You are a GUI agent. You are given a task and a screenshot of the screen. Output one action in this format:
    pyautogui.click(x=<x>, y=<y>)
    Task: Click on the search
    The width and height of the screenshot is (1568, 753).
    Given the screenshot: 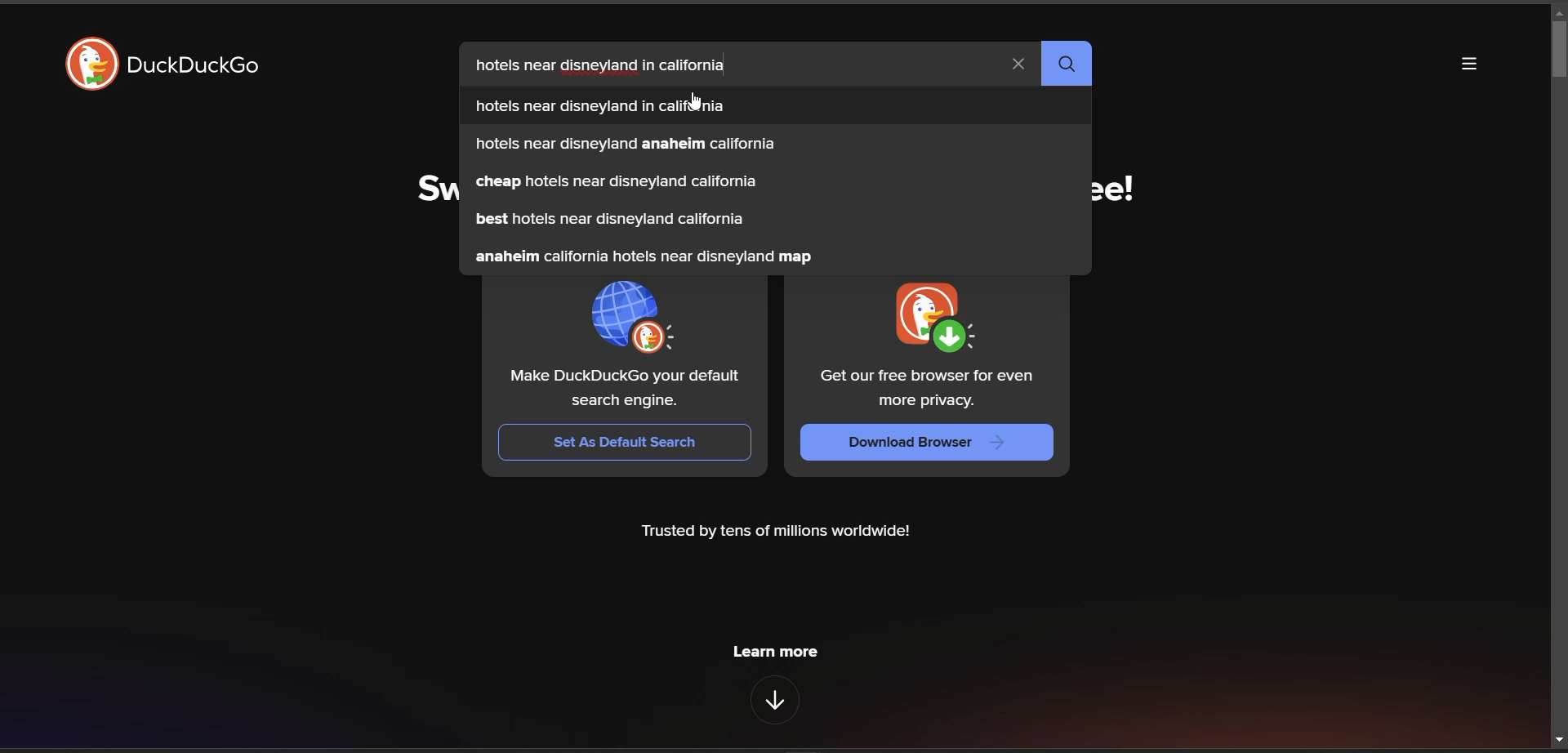 What is the action you would take?
    pyautogui.click(x=1067, y=64)
    